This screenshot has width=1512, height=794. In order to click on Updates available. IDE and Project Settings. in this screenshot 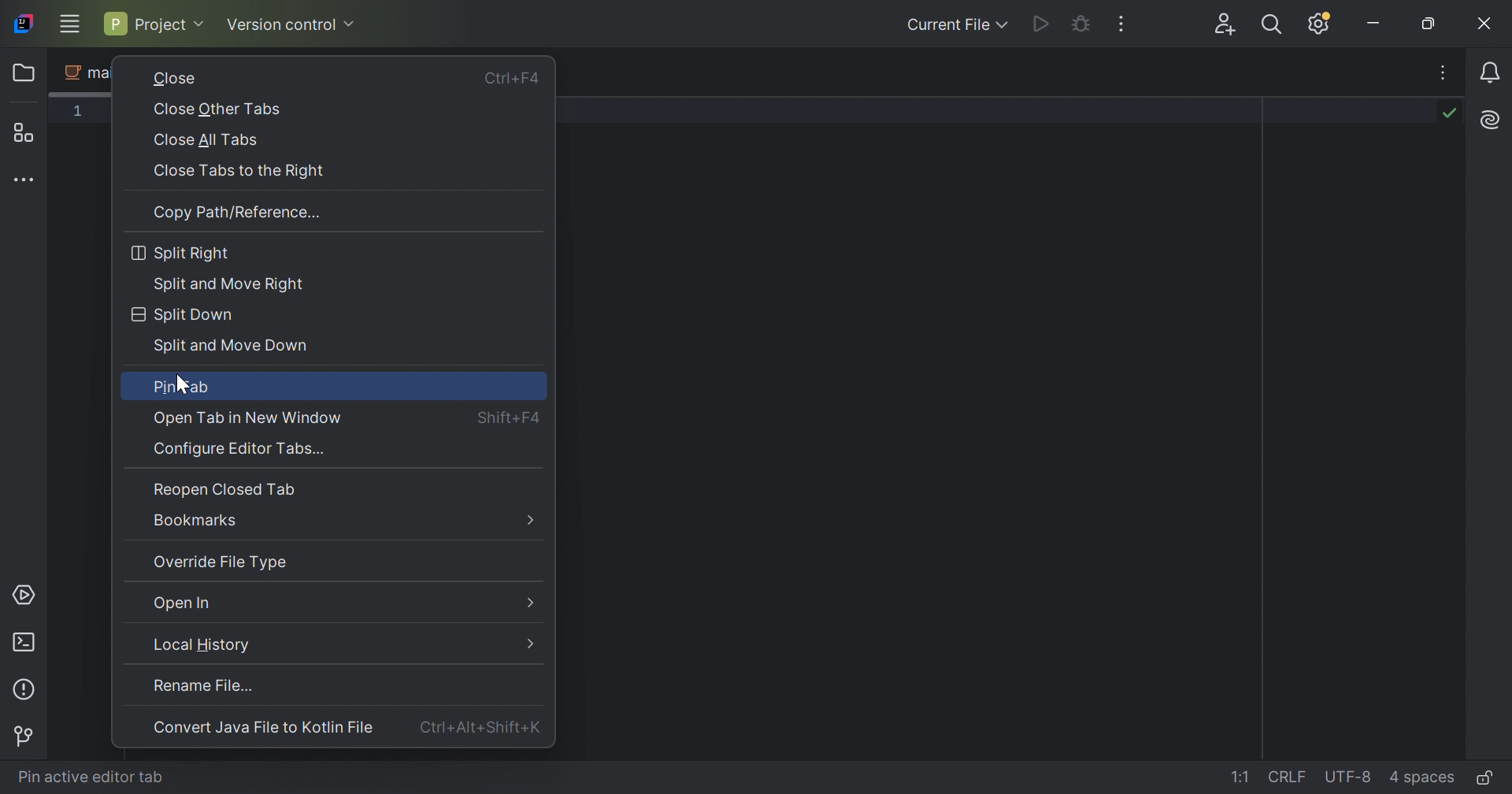, I will do `click(1321, 24)`.